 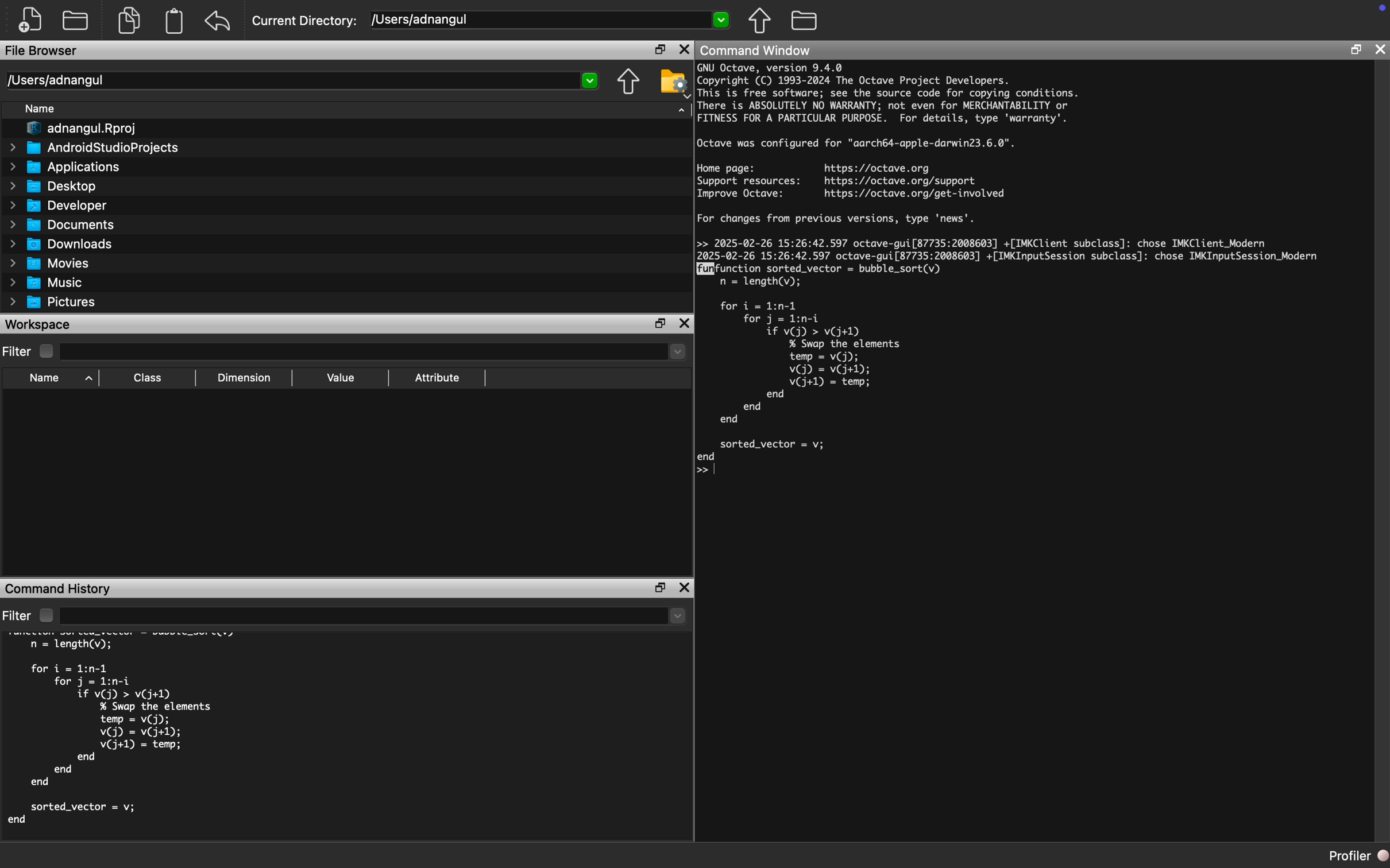 I want to click on Restore Down, so click(x=1356, y=51).